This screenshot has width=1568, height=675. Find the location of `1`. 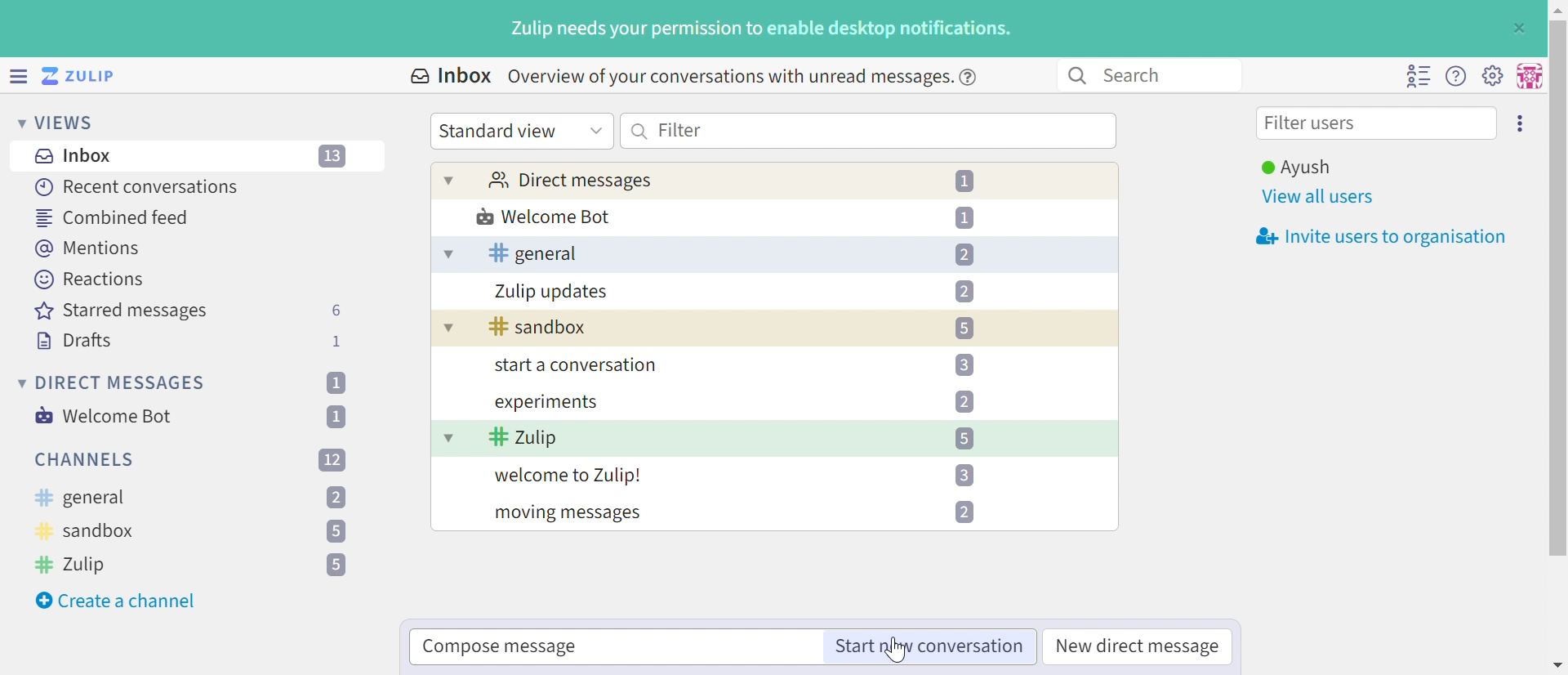

1 is located at coordinates (968, 181).